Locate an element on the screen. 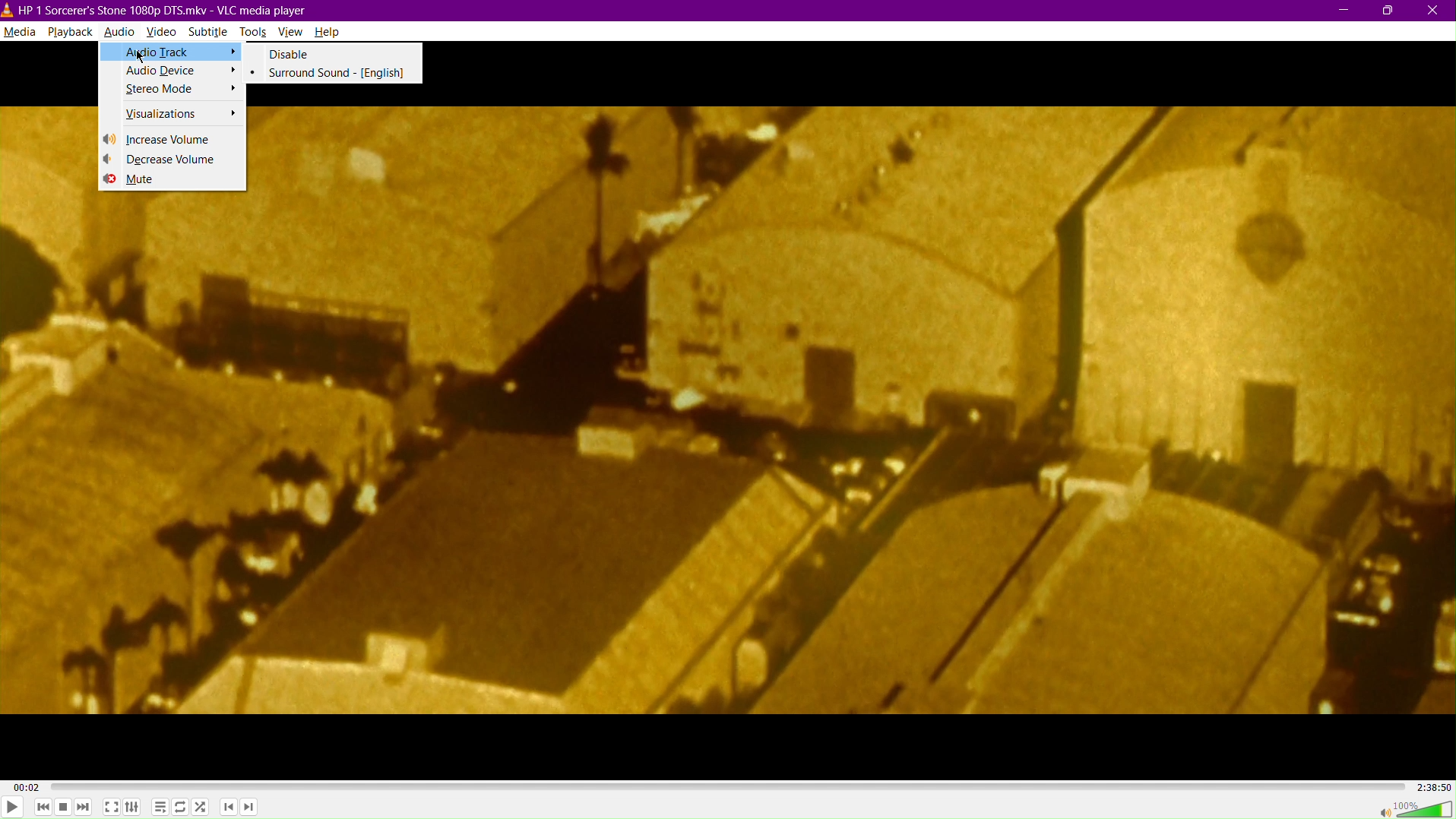  Cursor is located at coordinates (138, 55).